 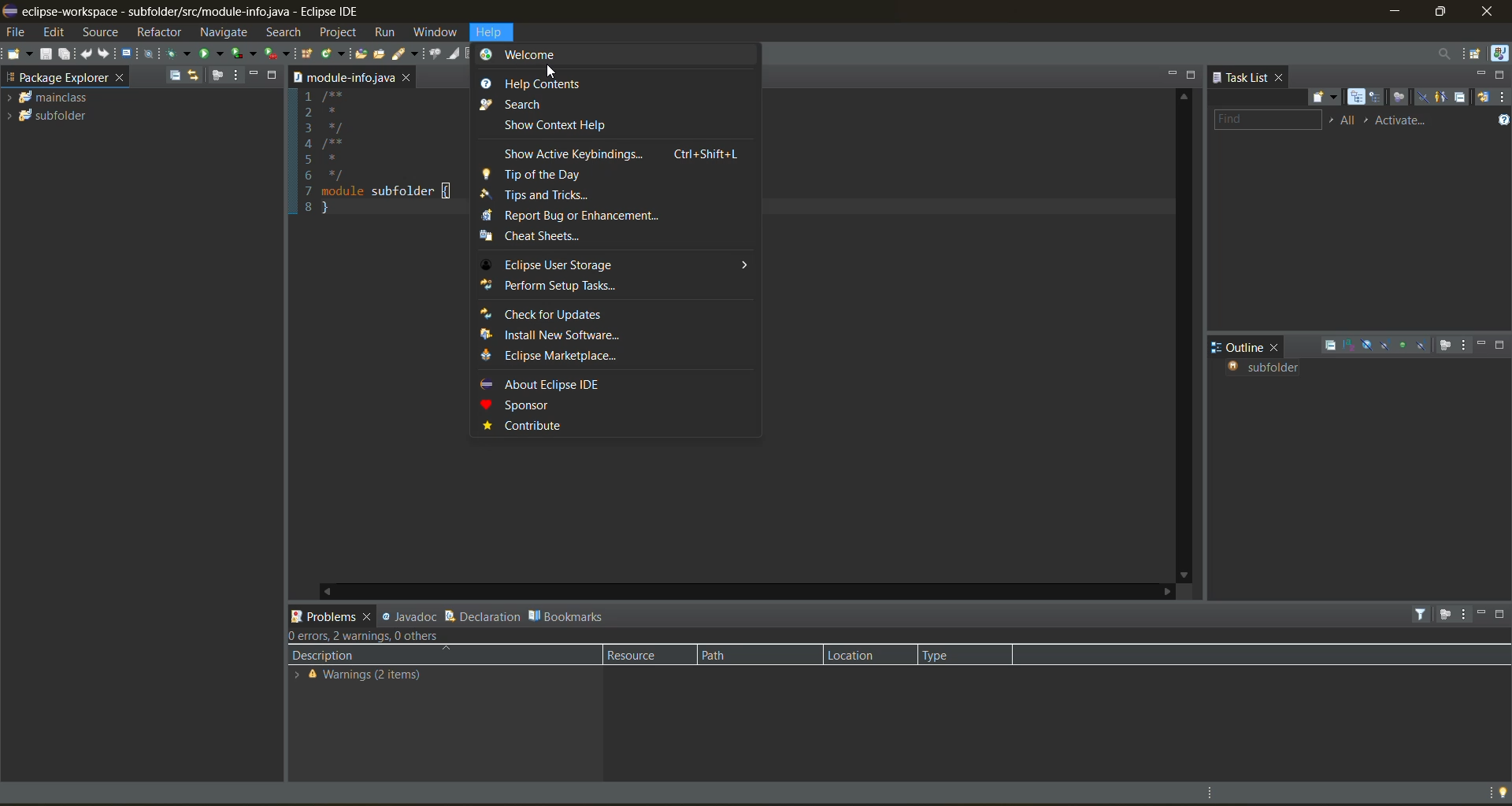 I want to click on access commands and other items, so click(x=1445, y=53).